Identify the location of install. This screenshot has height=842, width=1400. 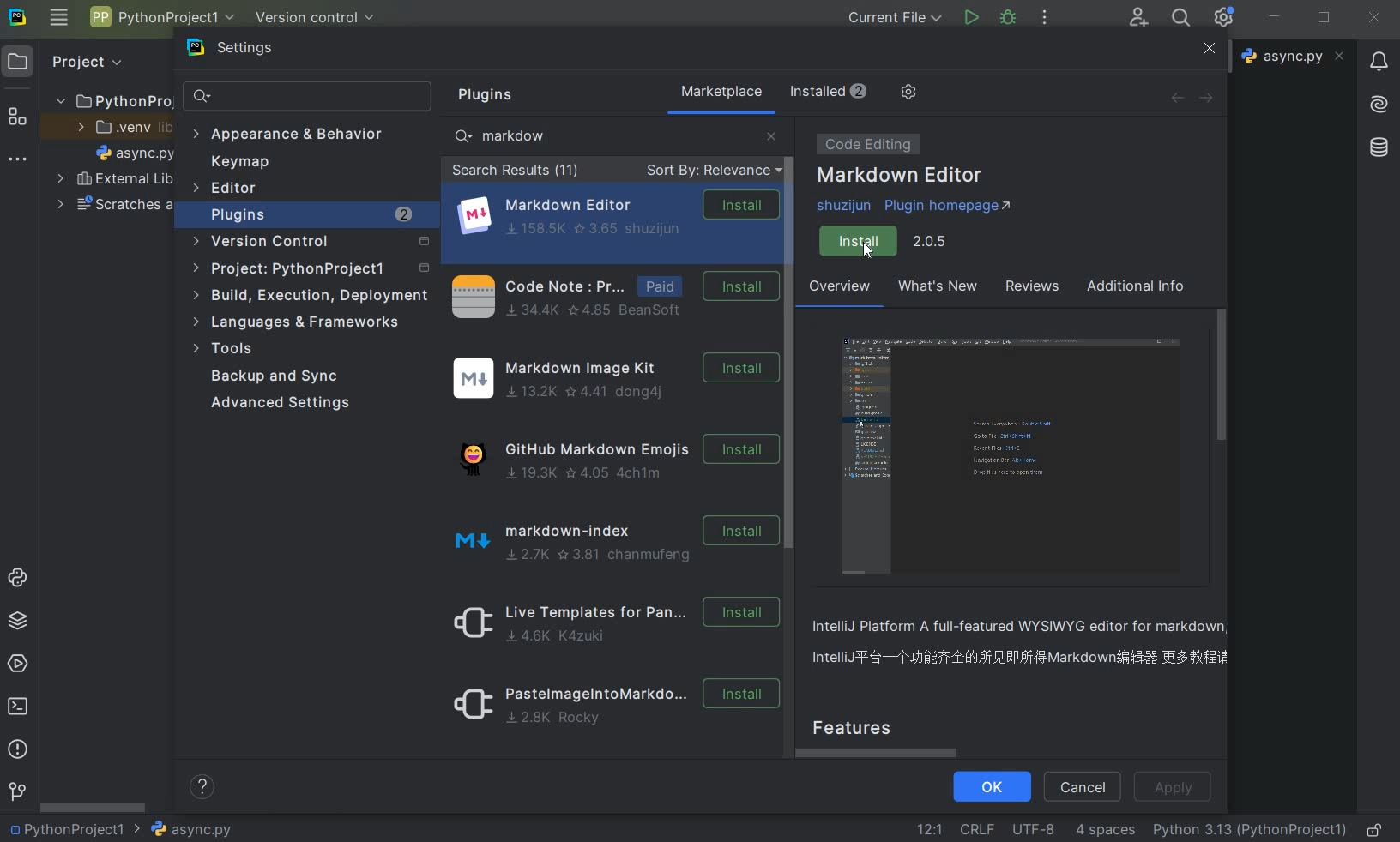
(890, 242).